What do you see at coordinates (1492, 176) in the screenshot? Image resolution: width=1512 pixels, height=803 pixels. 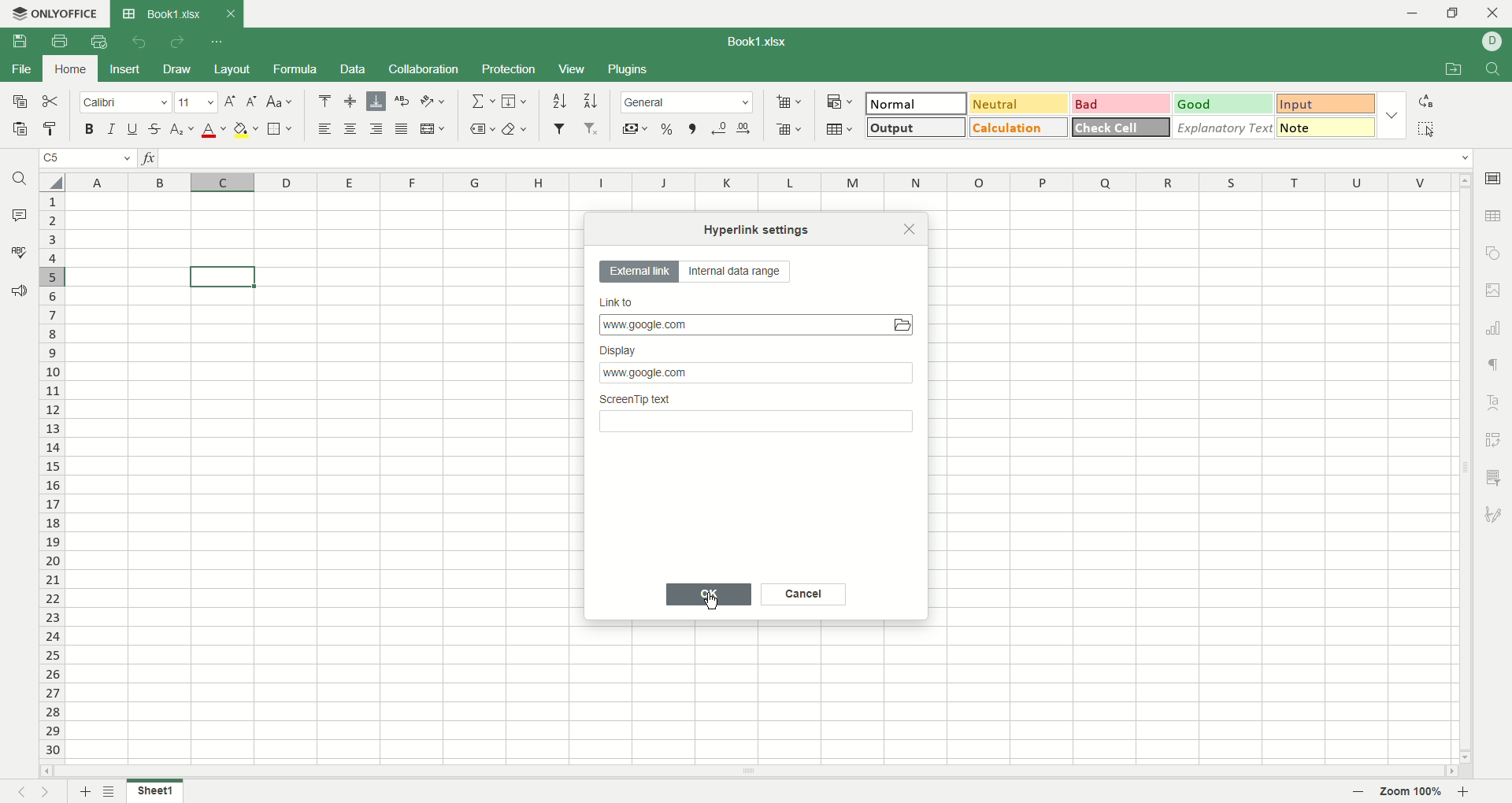 I see `cell settings` at bounding box center [1492, 176].